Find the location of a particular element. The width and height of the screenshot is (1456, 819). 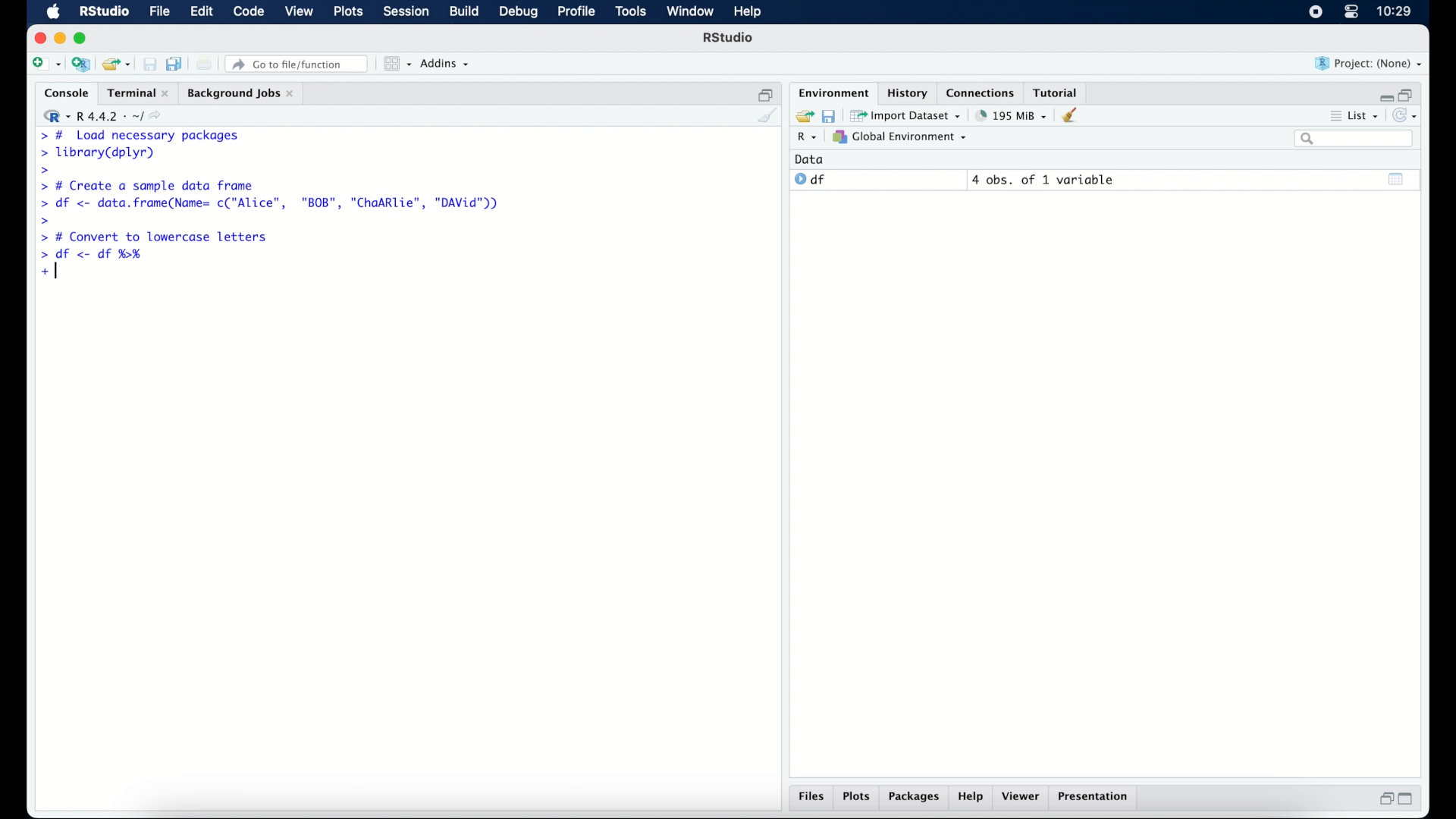

file is located at coordinates (158, 12).